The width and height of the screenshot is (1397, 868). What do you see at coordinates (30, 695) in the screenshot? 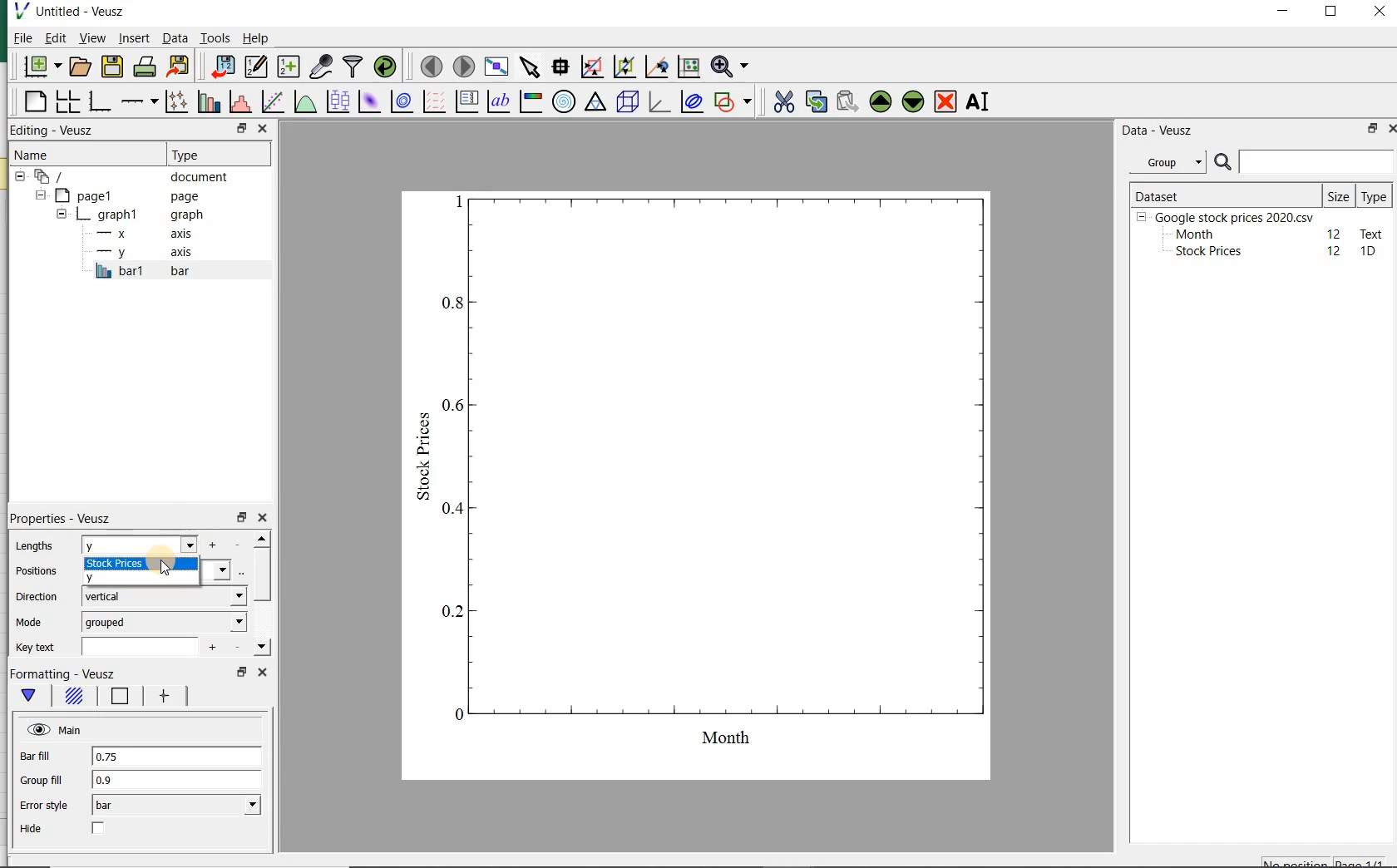
I see `main formatting` at bounding box center [30, 695].